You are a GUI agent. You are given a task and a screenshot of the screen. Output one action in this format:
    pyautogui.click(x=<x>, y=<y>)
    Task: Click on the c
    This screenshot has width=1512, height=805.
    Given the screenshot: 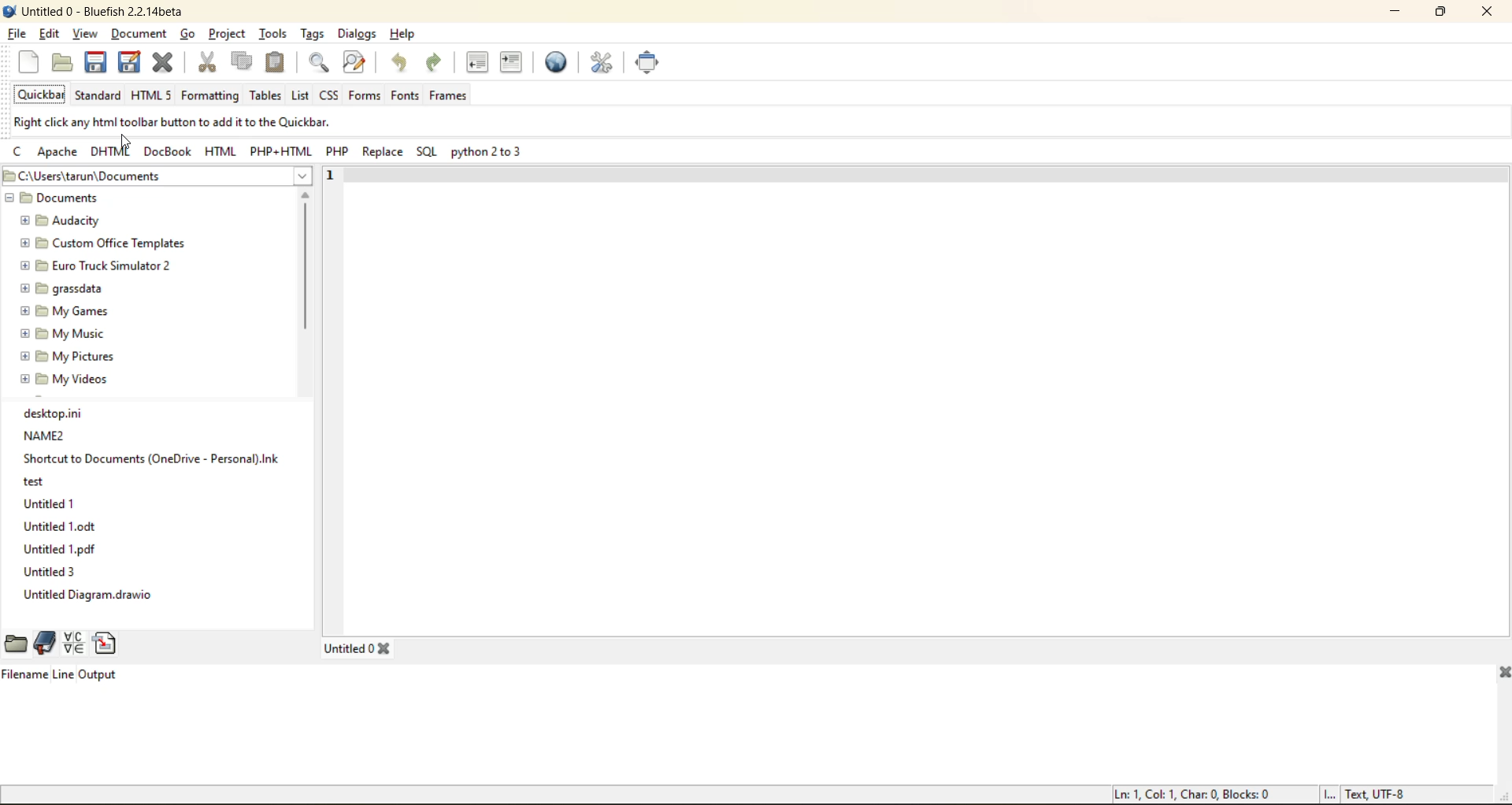 What is the action you would take?
    pyautogui.click(x=18, y=154)
    